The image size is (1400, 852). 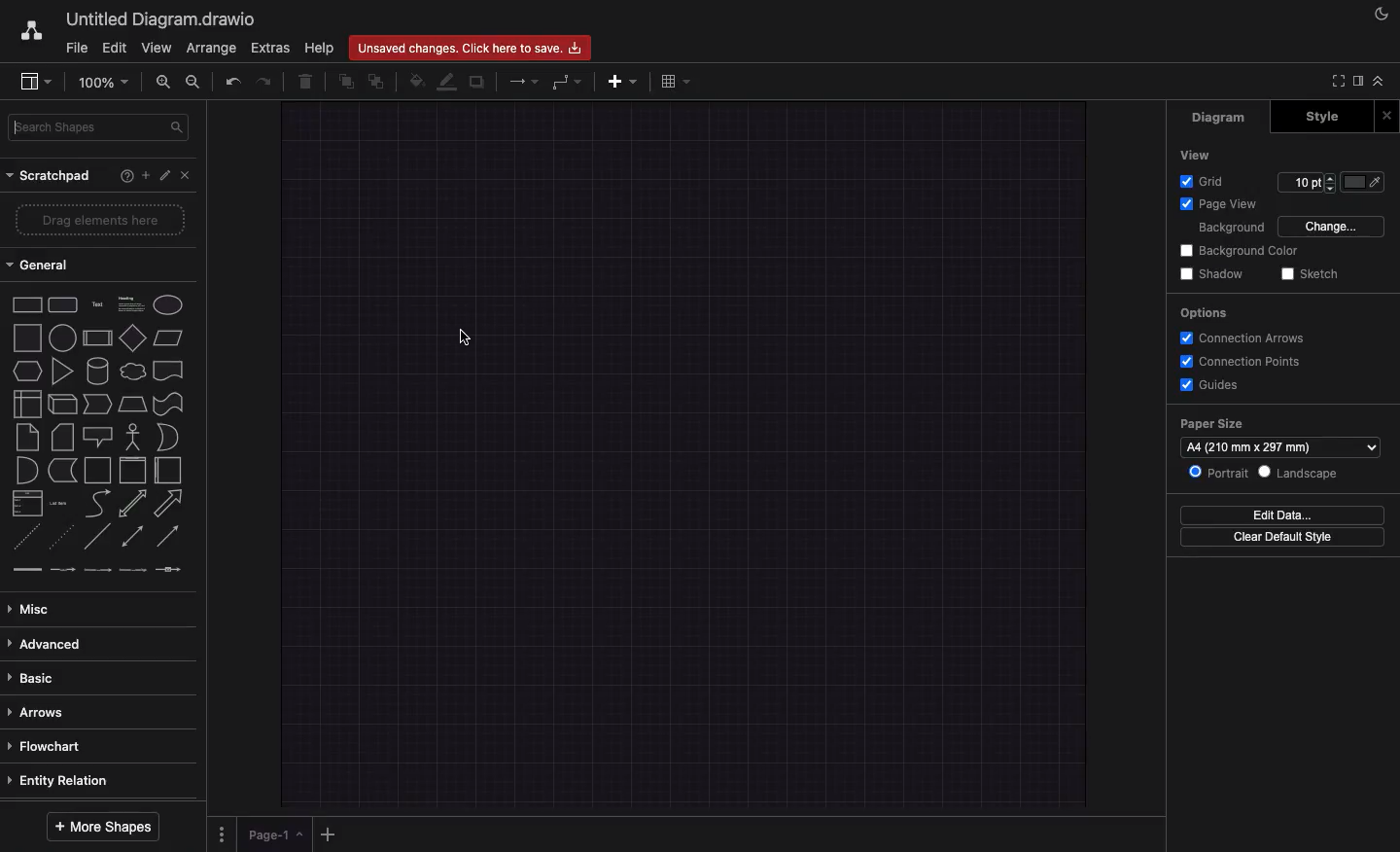 What do you see at coordinates (1281, 515) in the screenshot?
I see `Edit data` at bounding box center [1281, 515].